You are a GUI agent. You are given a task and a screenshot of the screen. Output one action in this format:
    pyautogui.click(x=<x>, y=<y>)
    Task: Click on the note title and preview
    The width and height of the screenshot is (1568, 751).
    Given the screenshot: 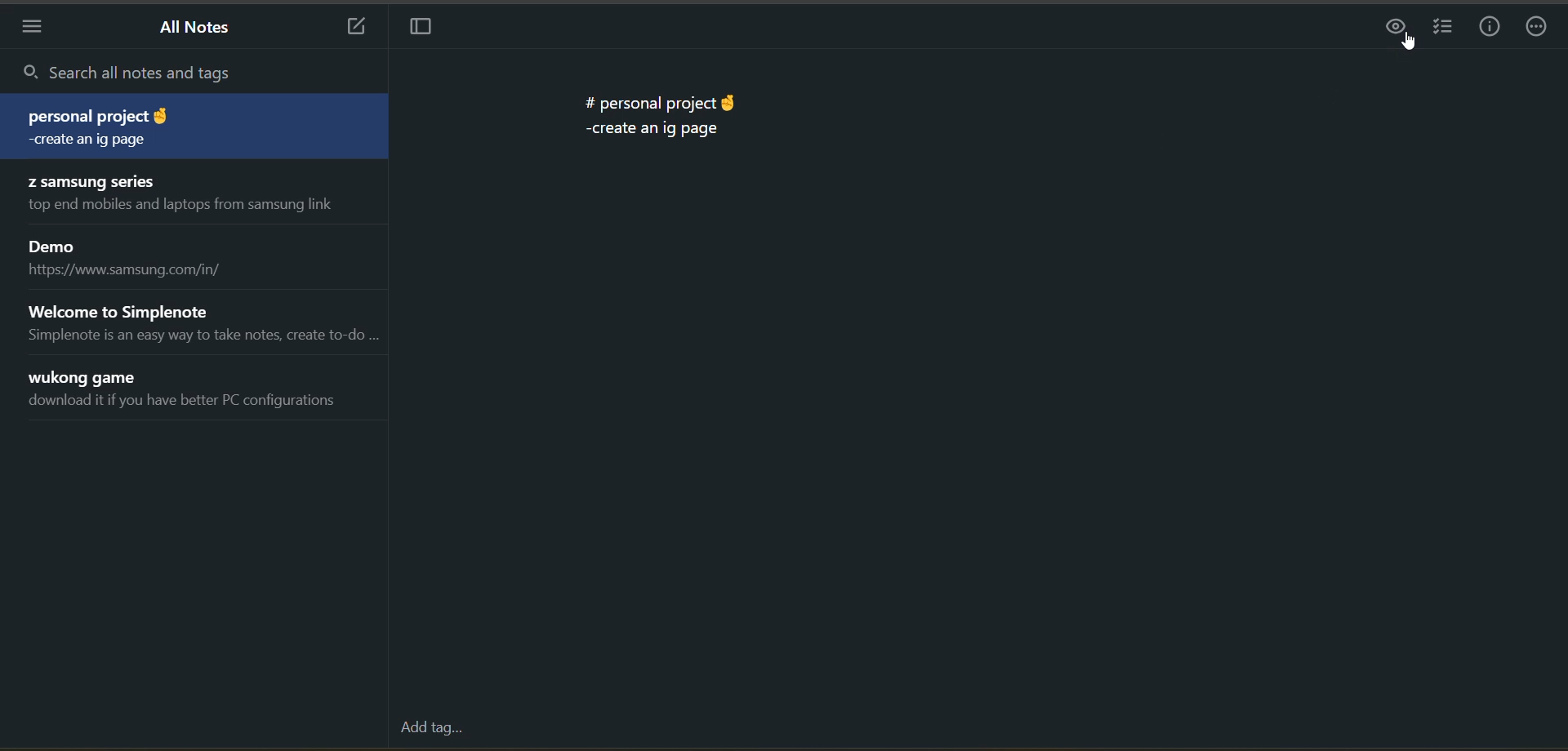 What is the action you would take?
    pyautogui.click(x=142, y=256)
    